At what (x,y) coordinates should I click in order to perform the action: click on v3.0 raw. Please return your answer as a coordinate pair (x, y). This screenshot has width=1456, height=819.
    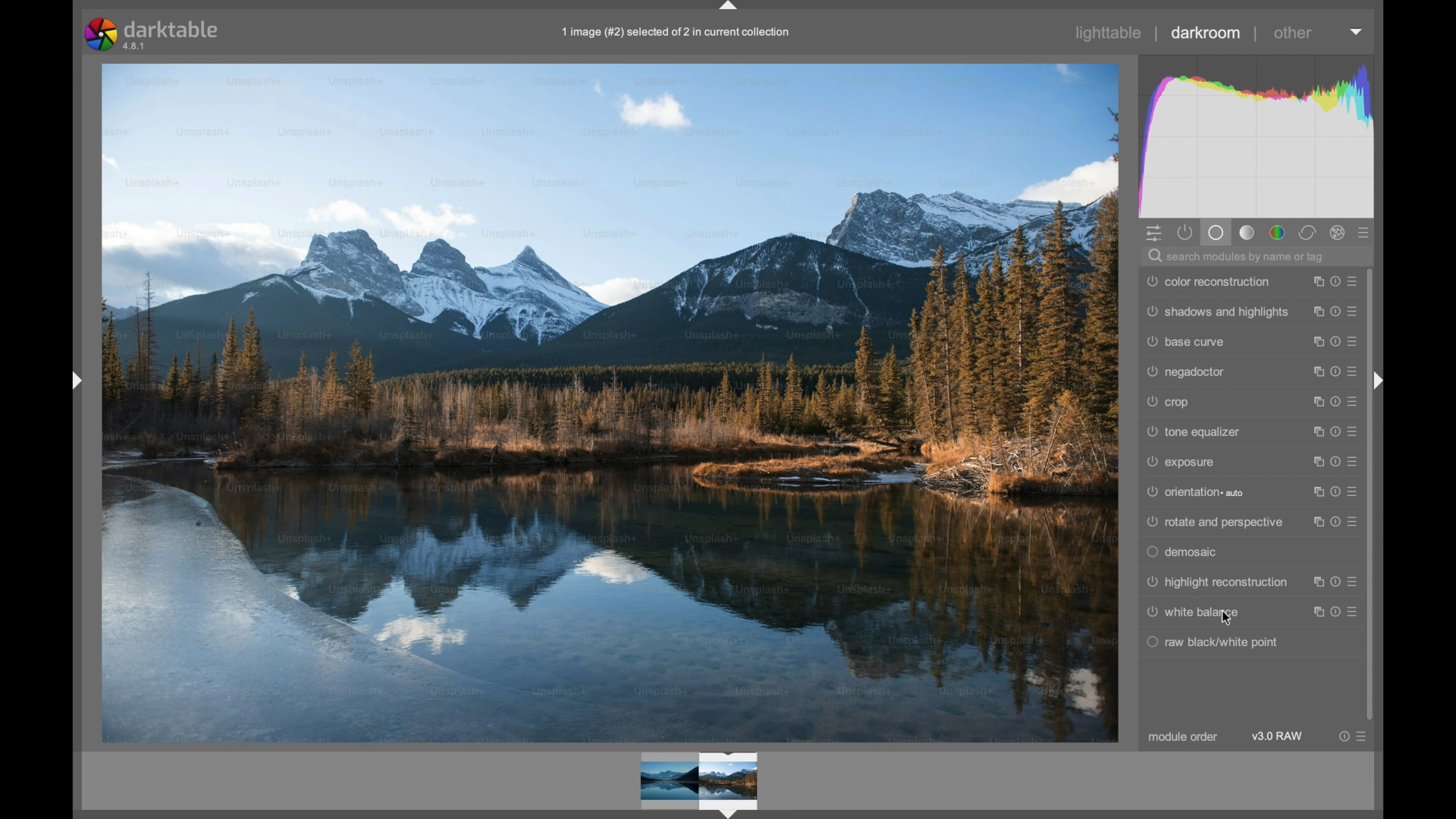
    Looking at the image, I should click on (1278, 736).